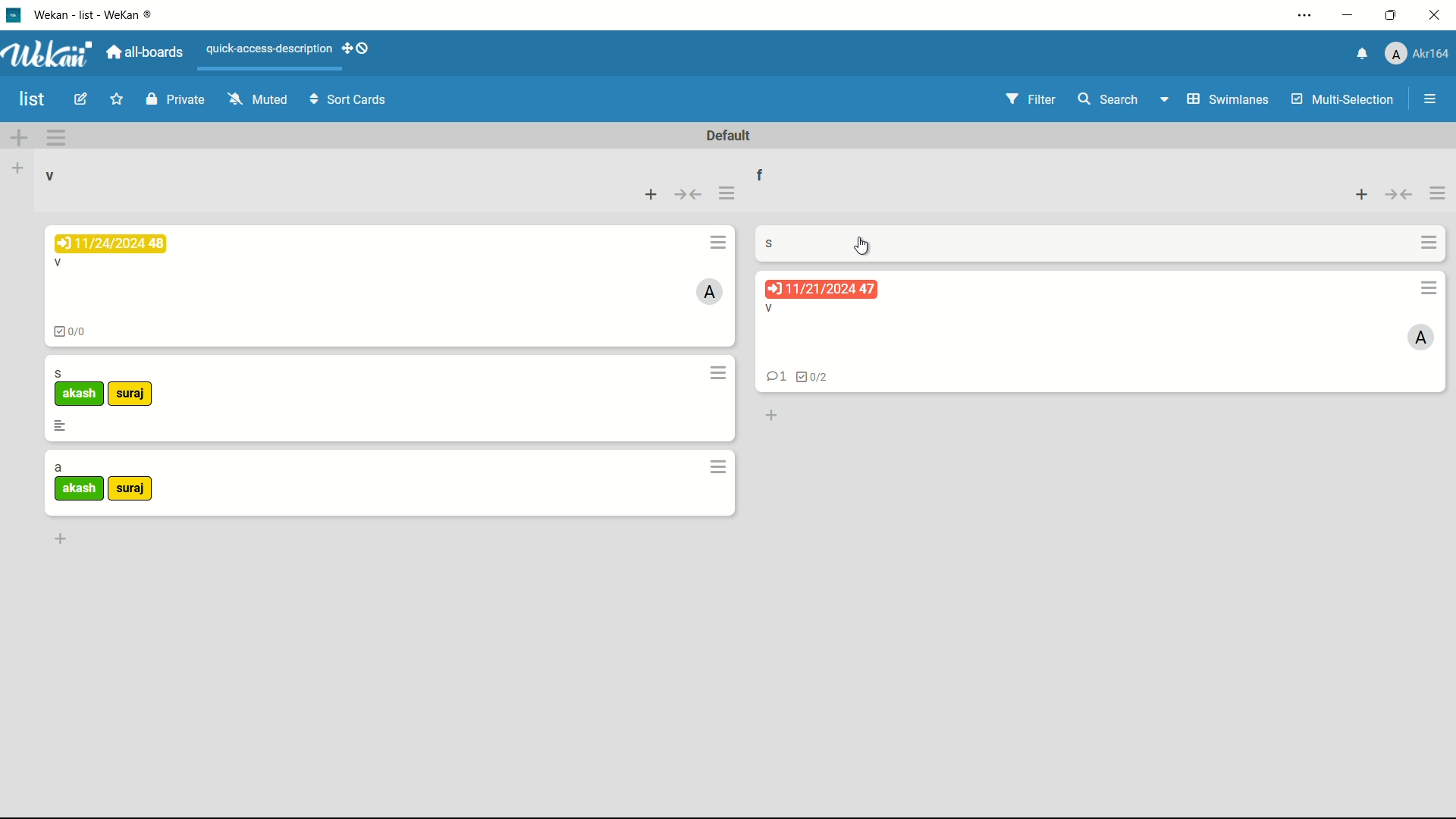  What do you see at coordinates (1437, 195) in the screenshot?
I see `list actions` at bounding box center [1437, 195].